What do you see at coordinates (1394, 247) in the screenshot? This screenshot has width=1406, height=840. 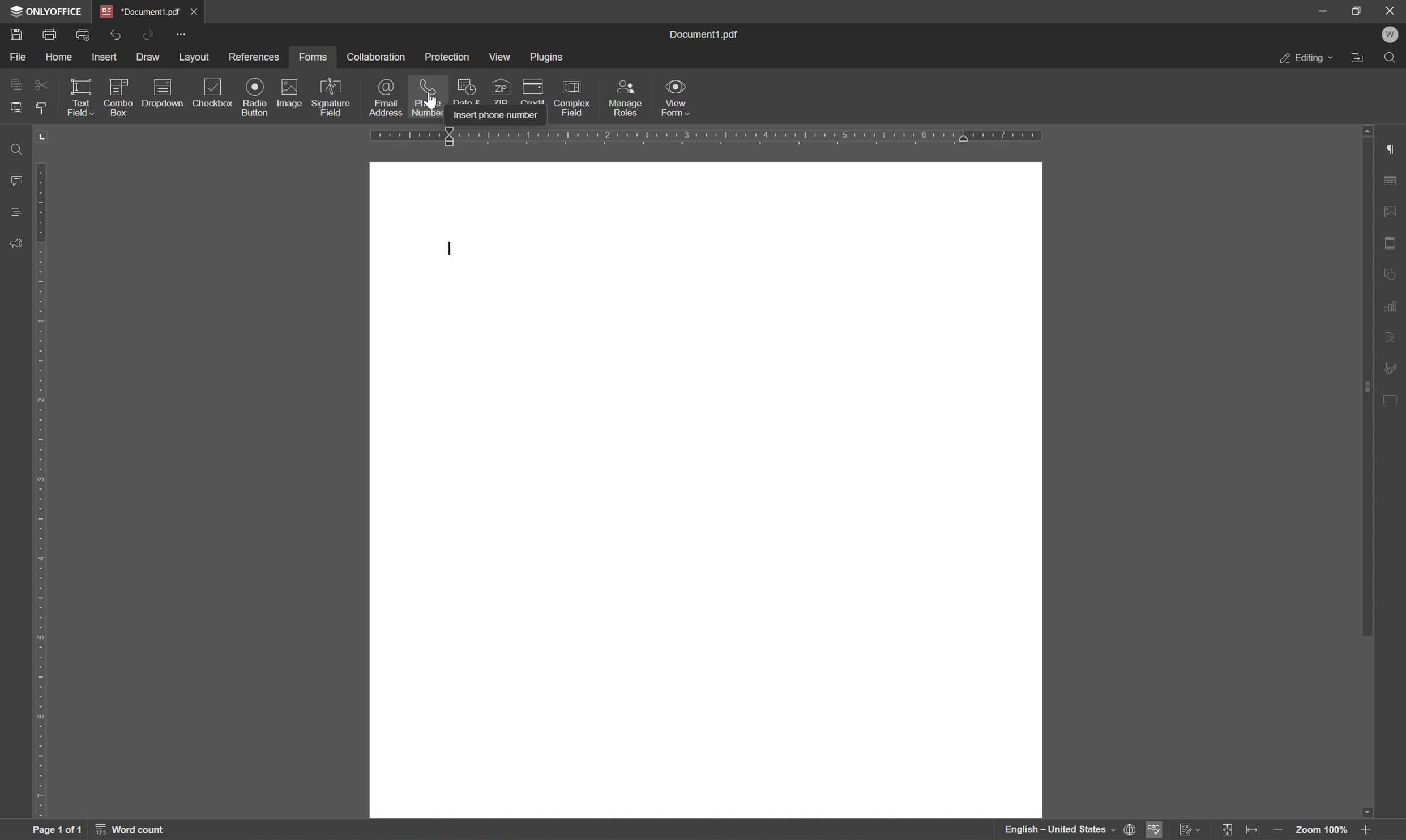 I see `header and footer settings` at bounding box center [1394, 247].